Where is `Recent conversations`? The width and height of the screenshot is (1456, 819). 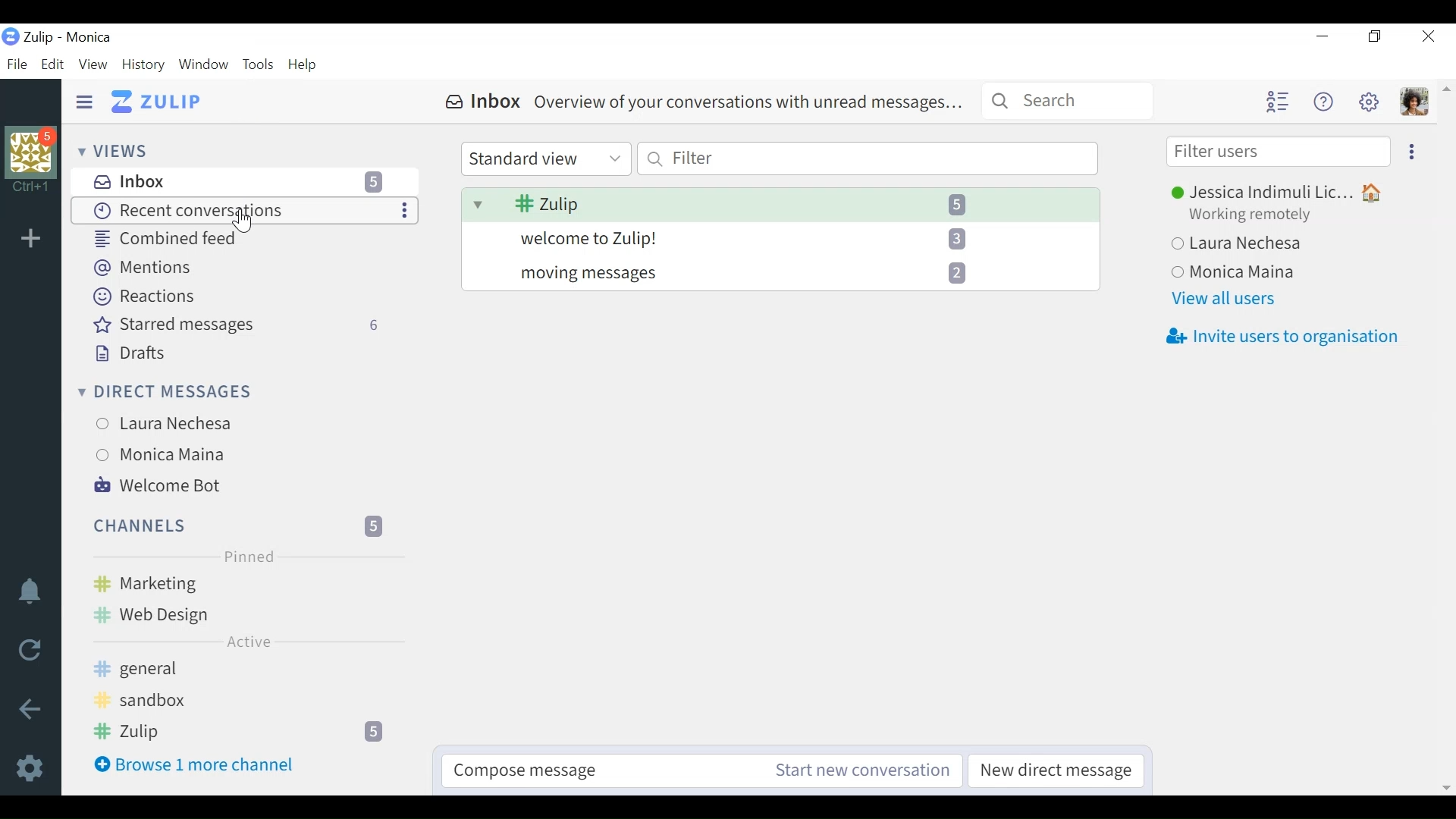 Recent conversations is located at coordinates (231, 211).